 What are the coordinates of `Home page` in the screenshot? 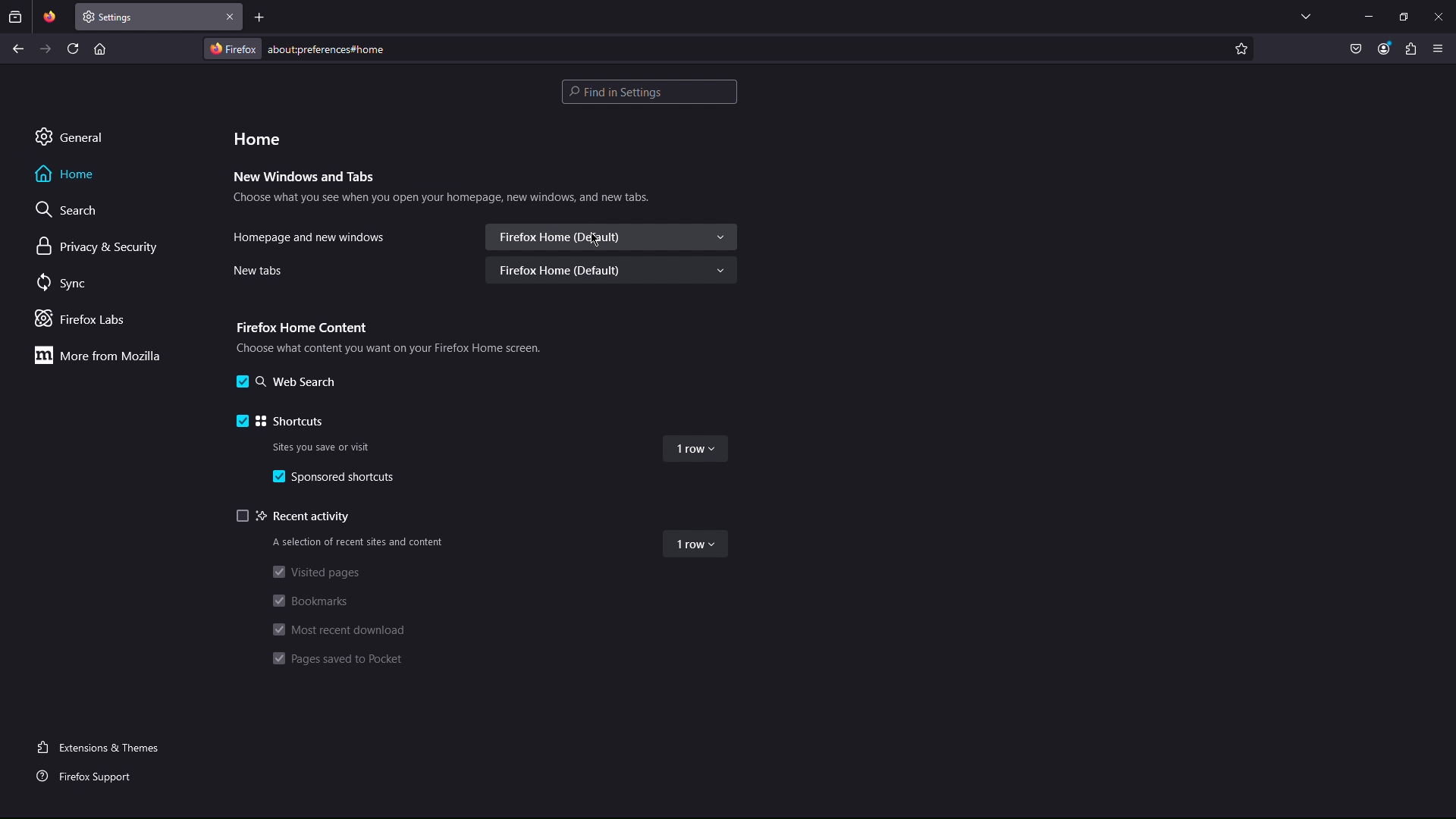 It's located at (99, 48).